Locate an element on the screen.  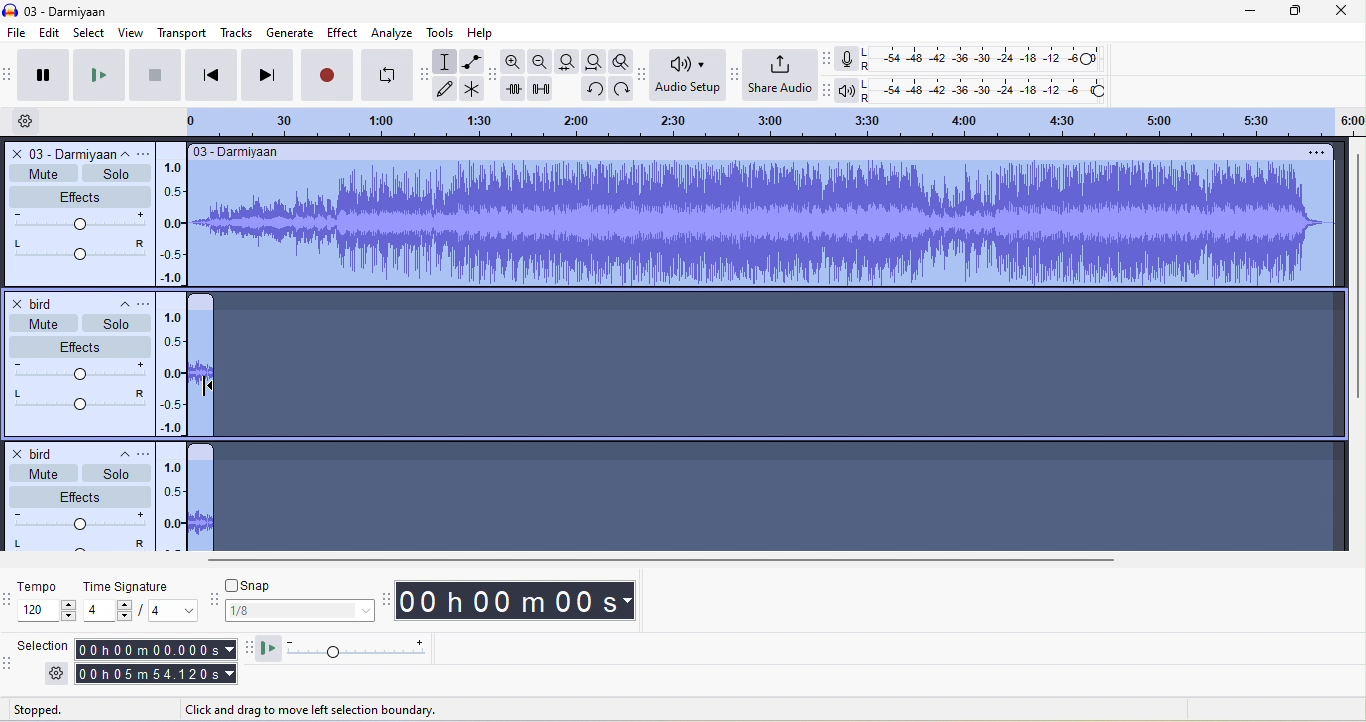
undo is located at coordinates (591, 88).